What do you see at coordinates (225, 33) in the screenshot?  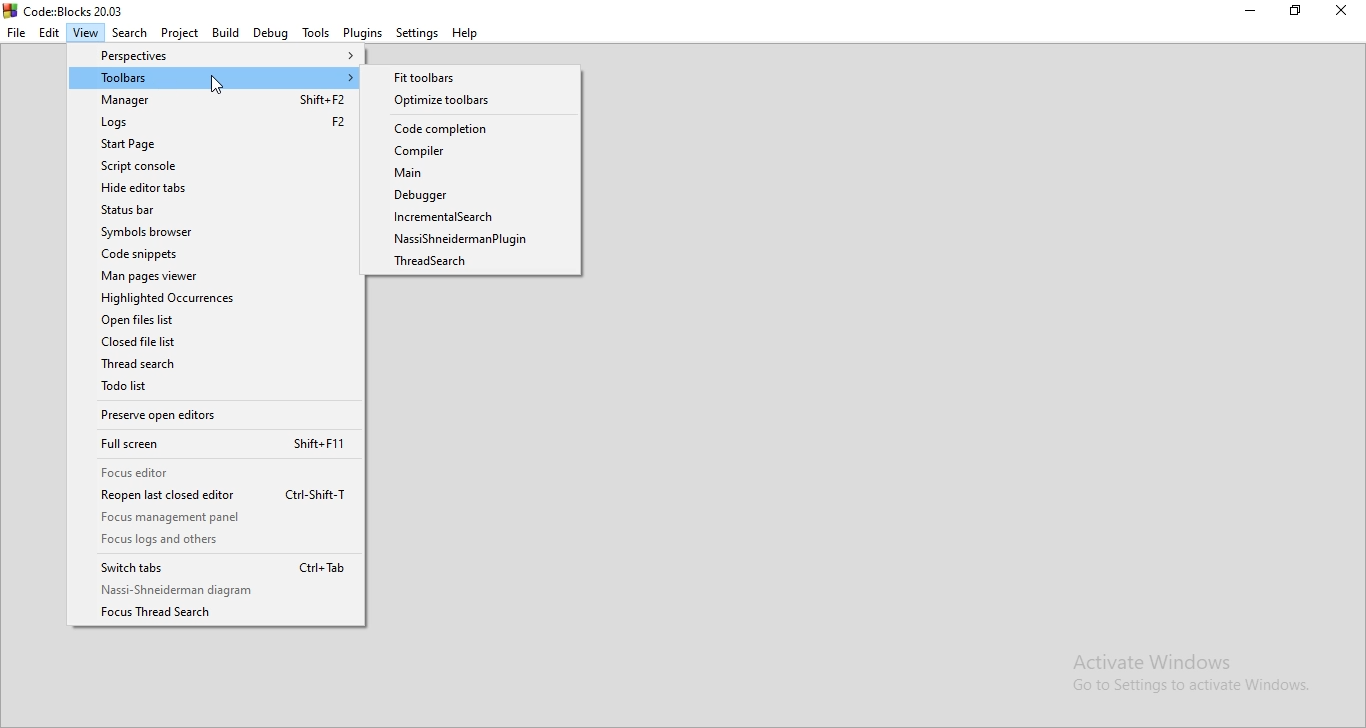 I see `Build ` at bounding box center [225, 33].